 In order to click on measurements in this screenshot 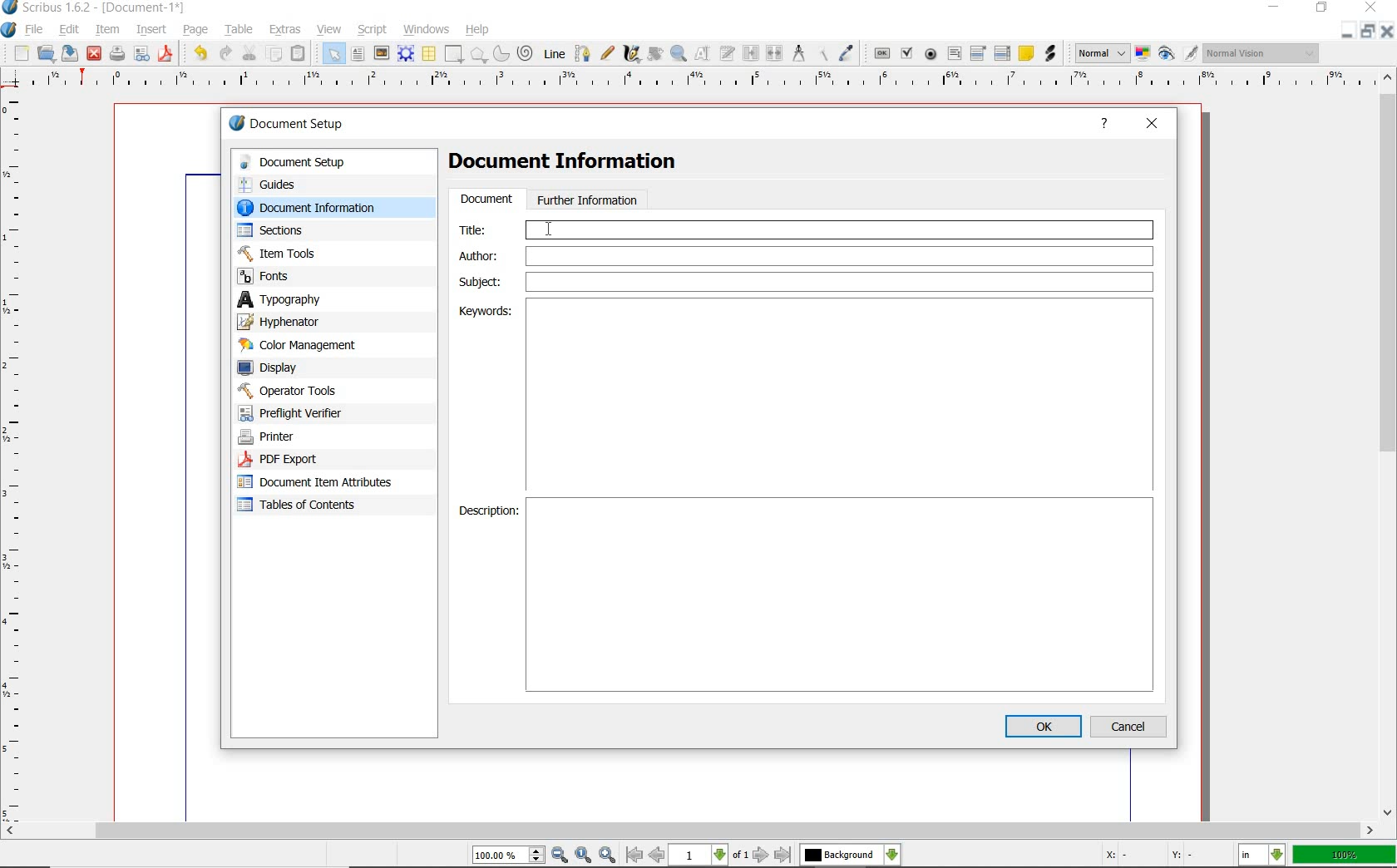, I will do `click(797, 53)`.